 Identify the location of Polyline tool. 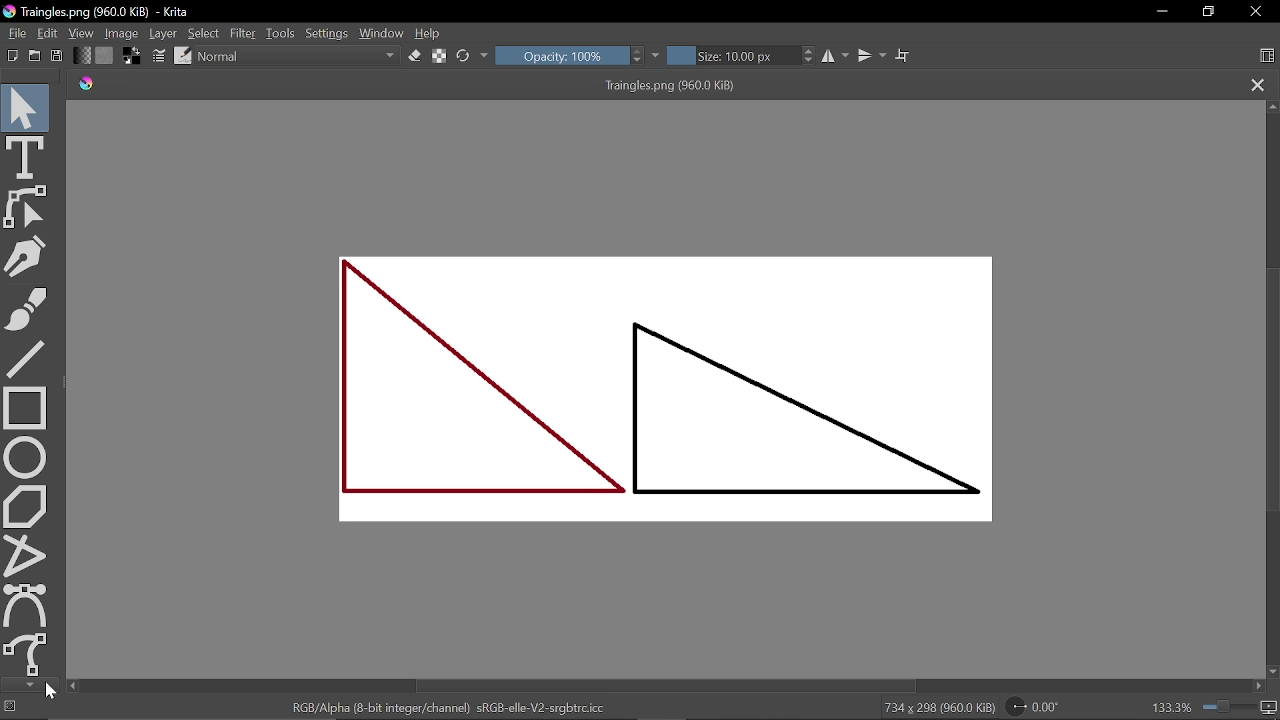
(26, 557).